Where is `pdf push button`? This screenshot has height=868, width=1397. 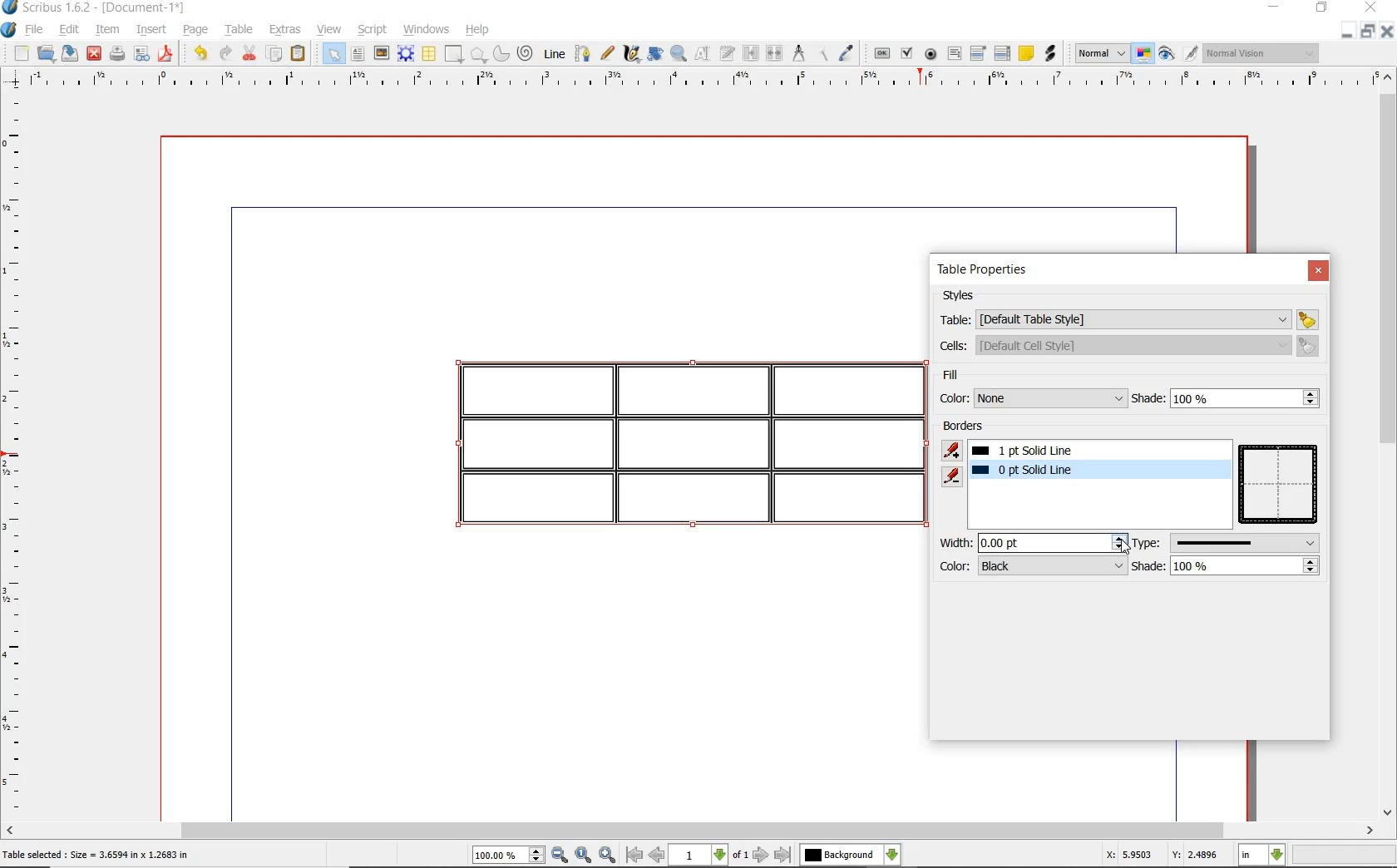 pdf push button is located at coordinates (882, 54).